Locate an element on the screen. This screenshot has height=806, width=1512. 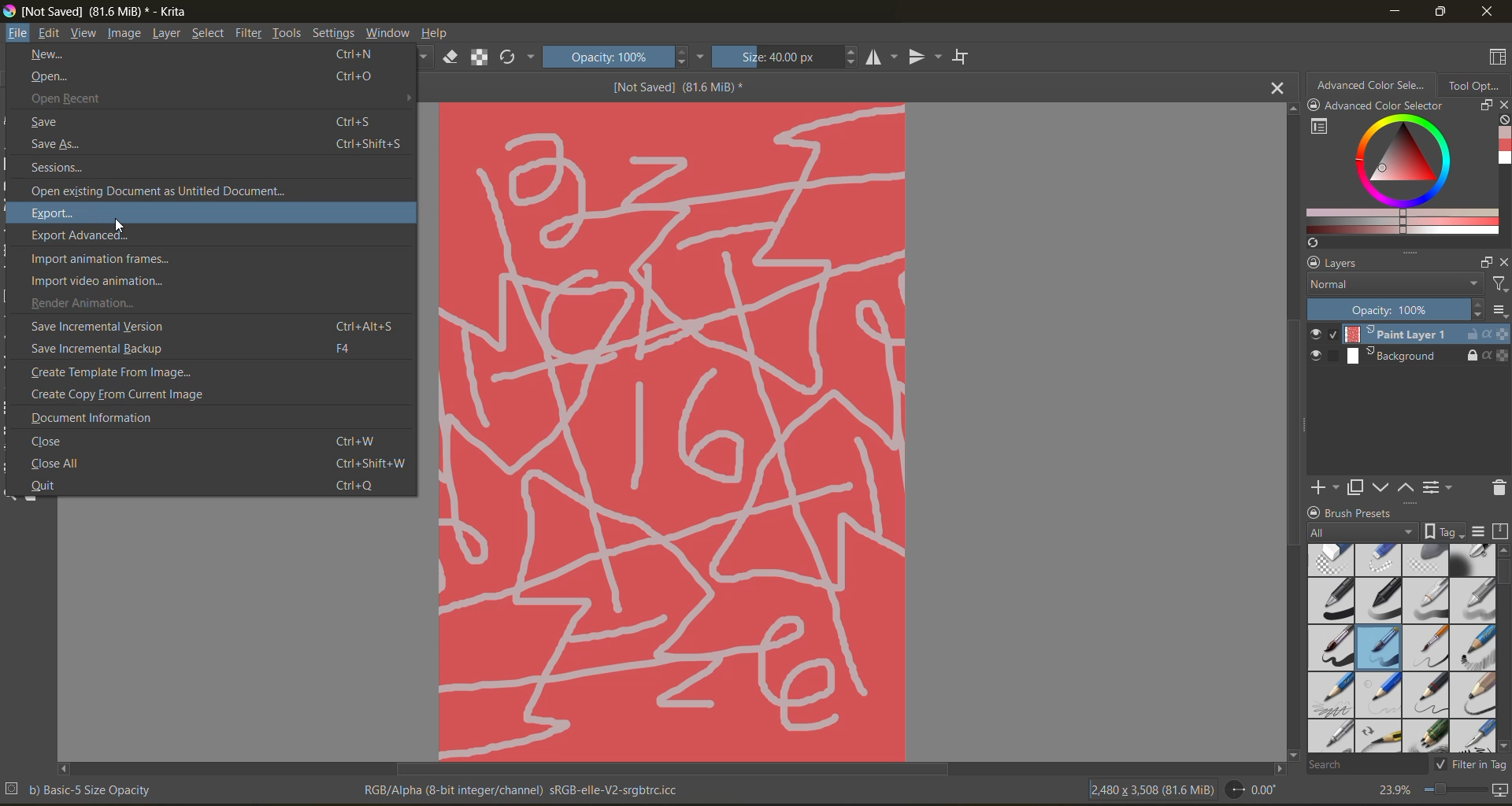
file is located at coordinates (18, 31).